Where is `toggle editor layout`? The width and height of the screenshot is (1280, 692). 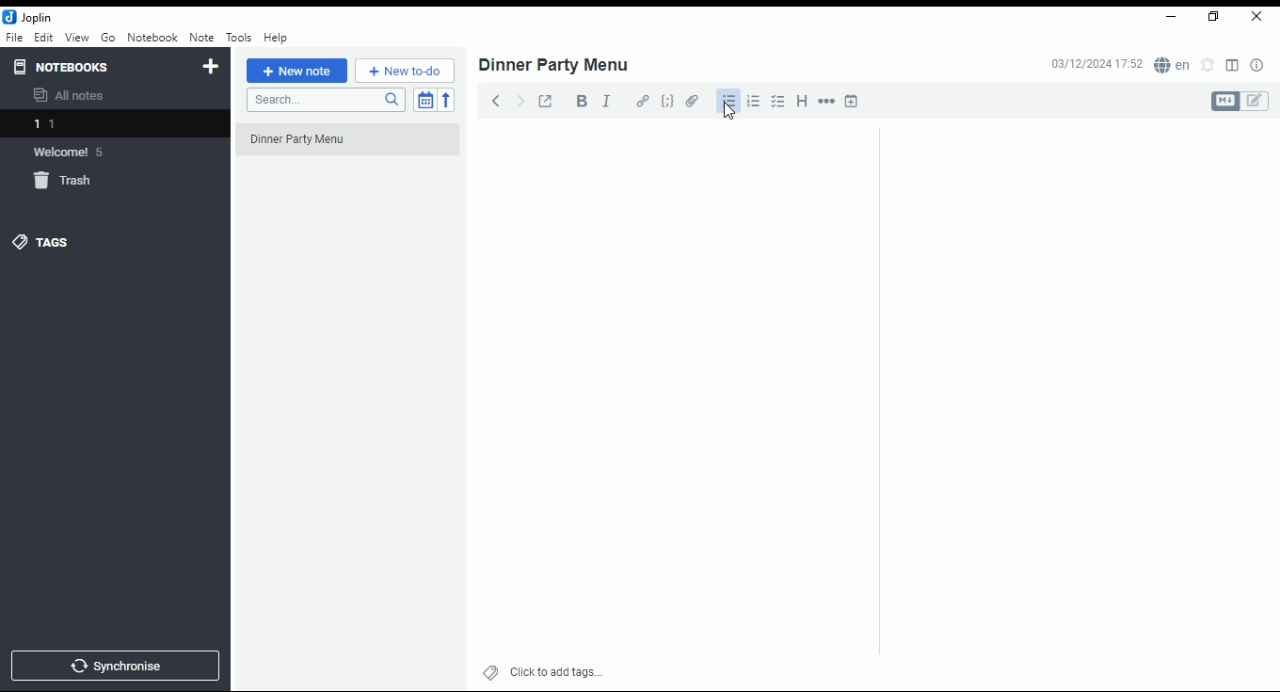 toggle editor layout is located at coordinates (1232, 66).